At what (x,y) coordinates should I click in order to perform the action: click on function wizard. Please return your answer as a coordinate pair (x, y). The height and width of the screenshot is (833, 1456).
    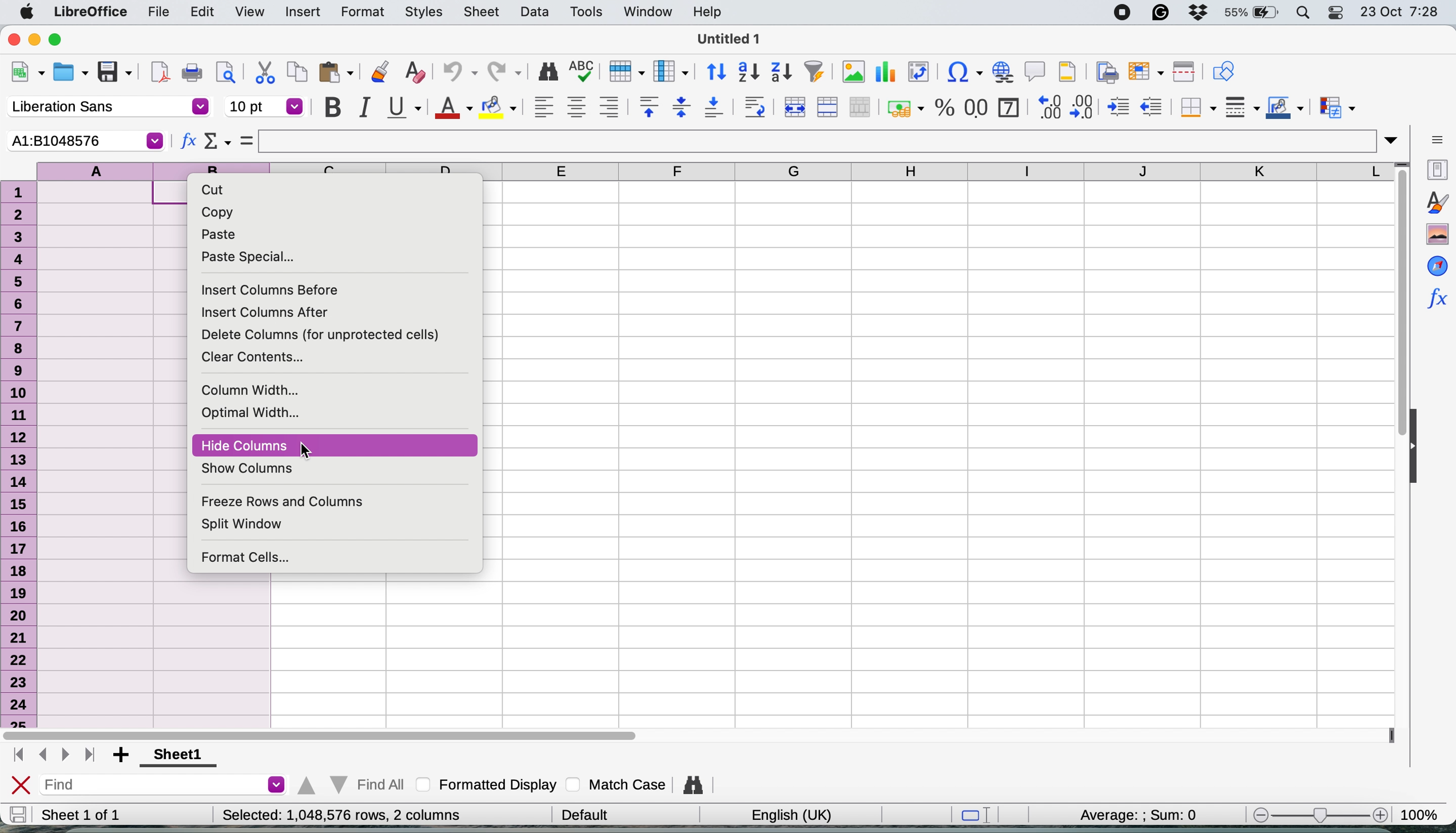
    Looking at the image, I should click on (186, 140).